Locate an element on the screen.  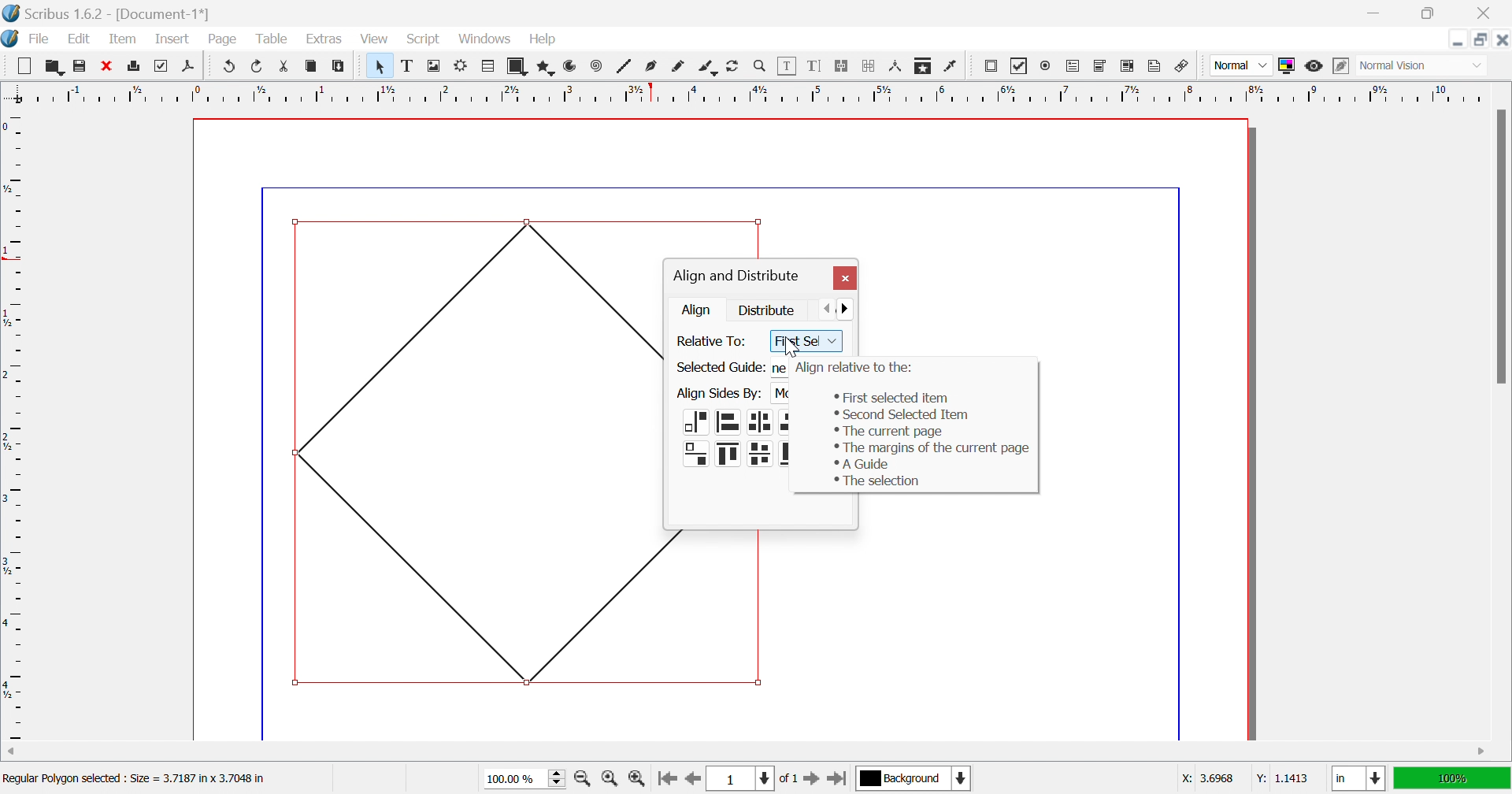
Minimize is located at coordinates (1377, 13).